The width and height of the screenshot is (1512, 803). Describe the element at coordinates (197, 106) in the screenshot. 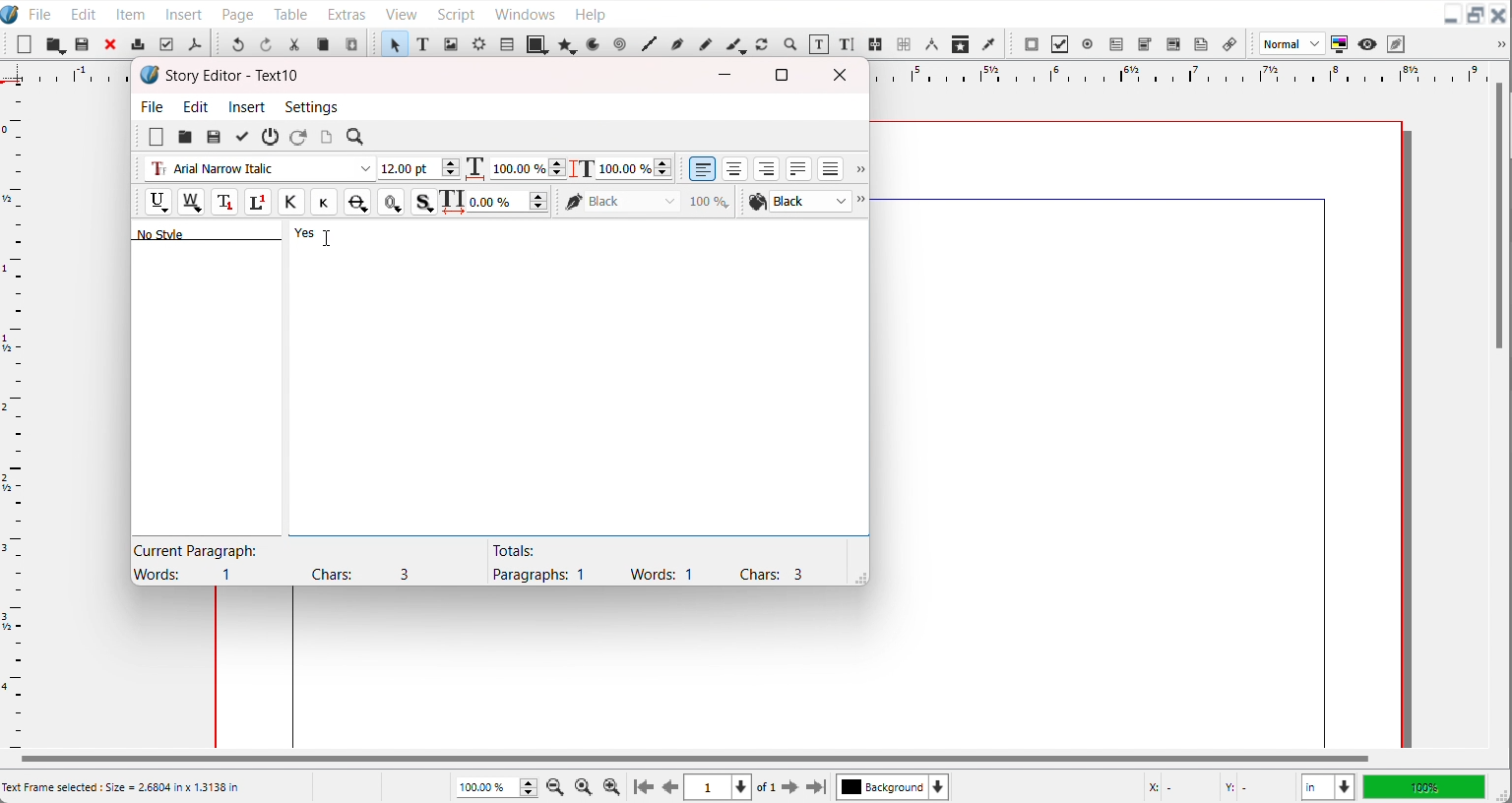

I see `Edit` at that location.